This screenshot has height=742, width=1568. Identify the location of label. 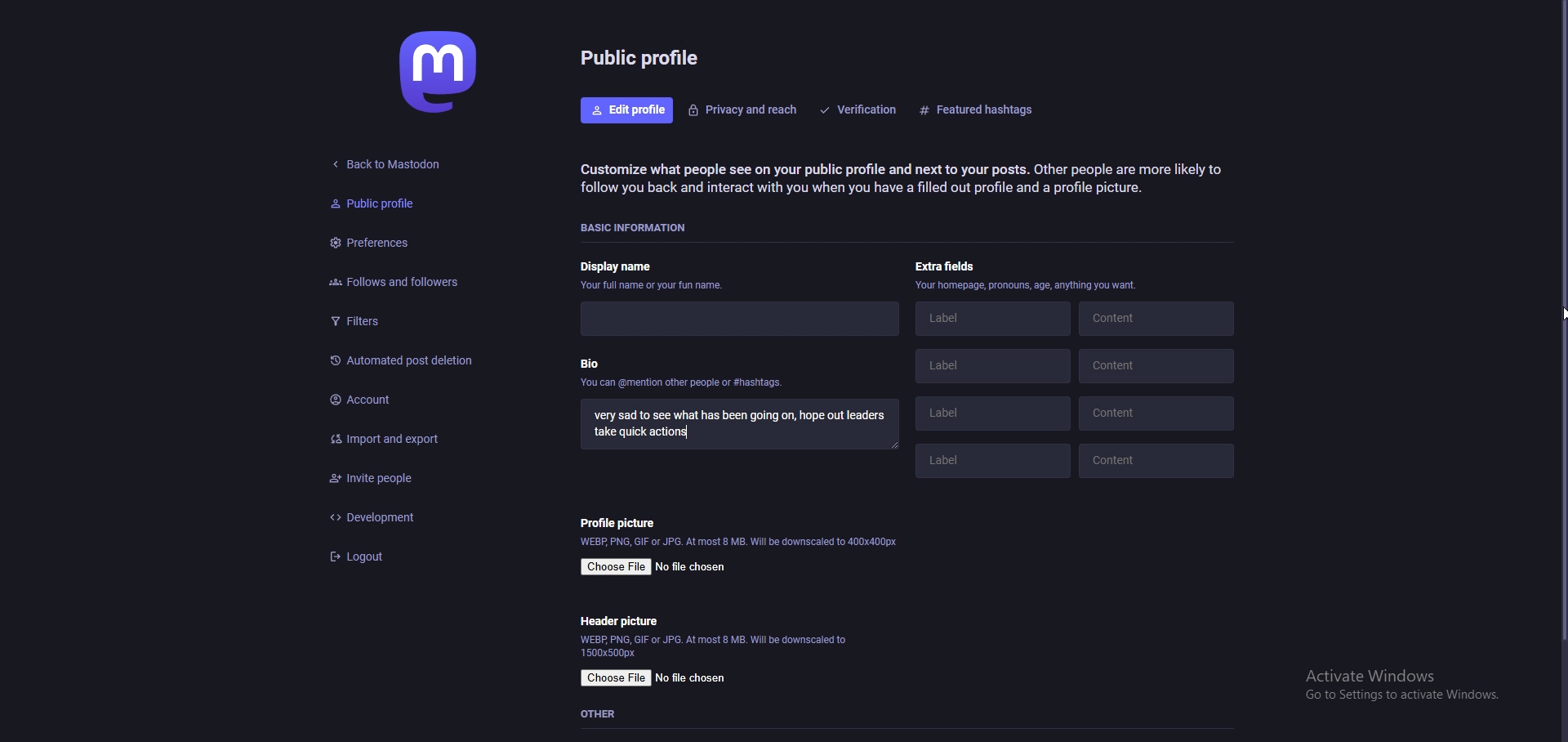
(994, 365).